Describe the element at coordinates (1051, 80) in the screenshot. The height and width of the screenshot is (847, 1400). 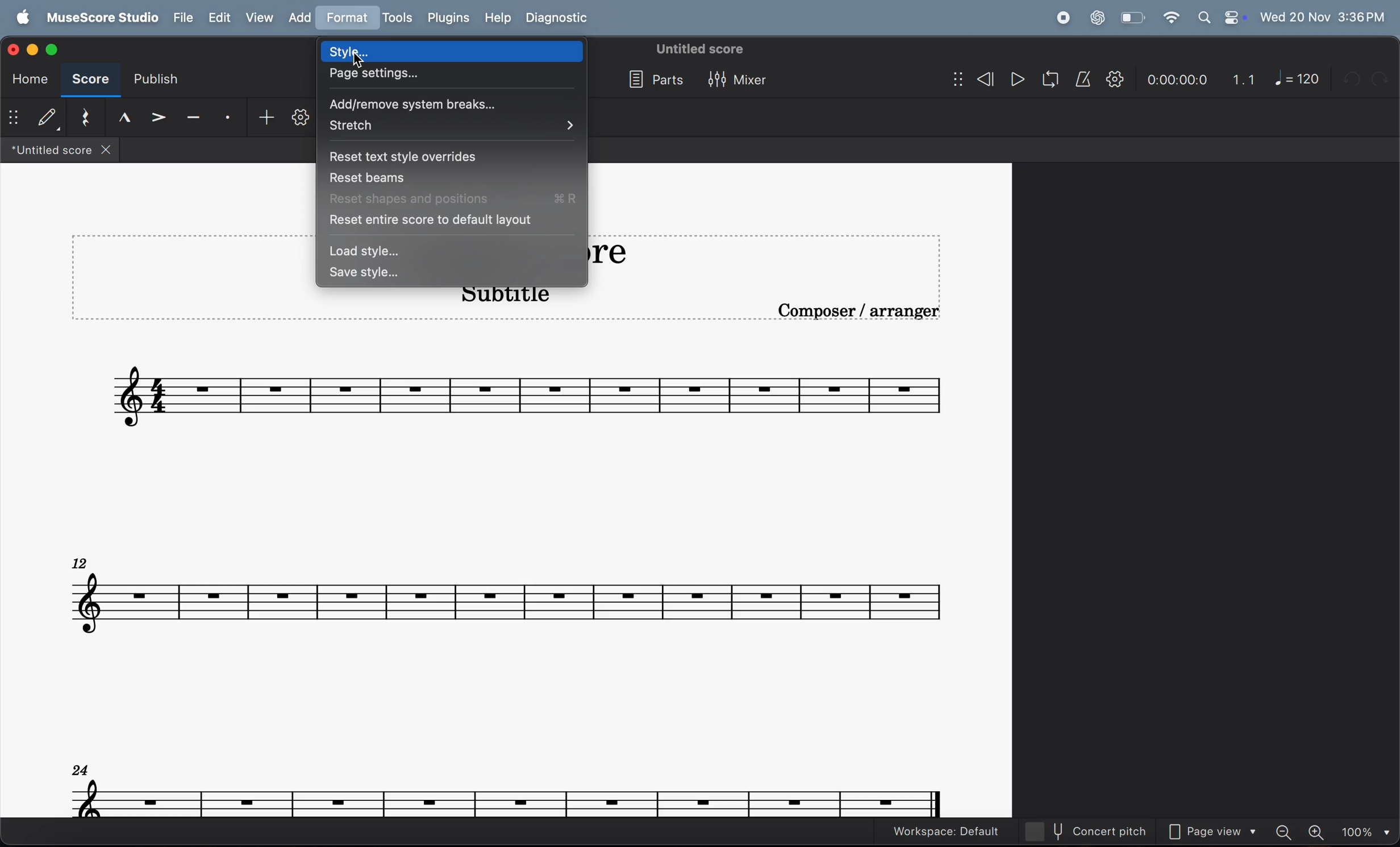
I see `loop play back` at that location.